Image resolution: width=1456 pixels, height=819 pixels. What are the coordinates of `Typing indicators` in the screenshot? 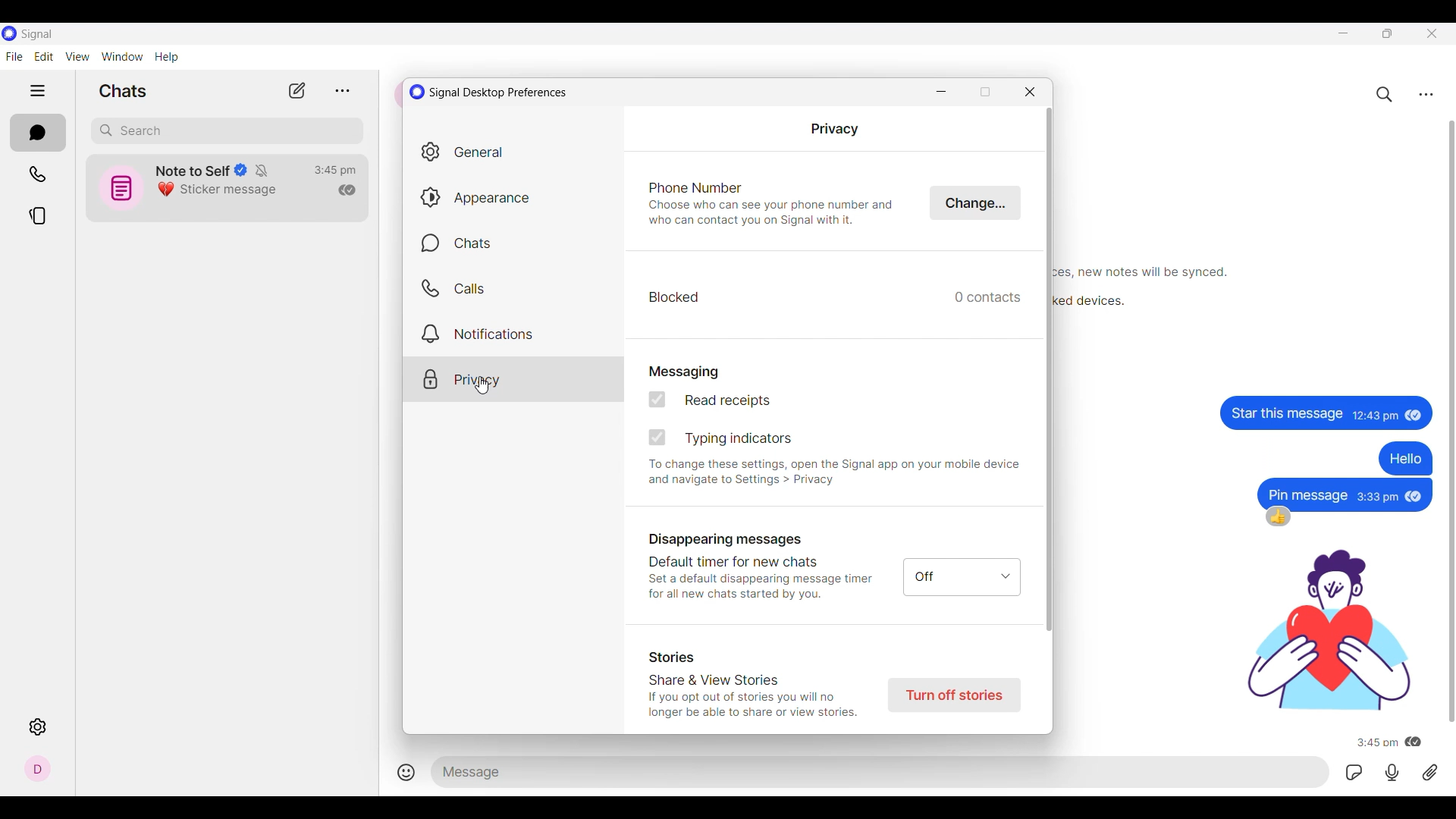 It's located at (721, 437).